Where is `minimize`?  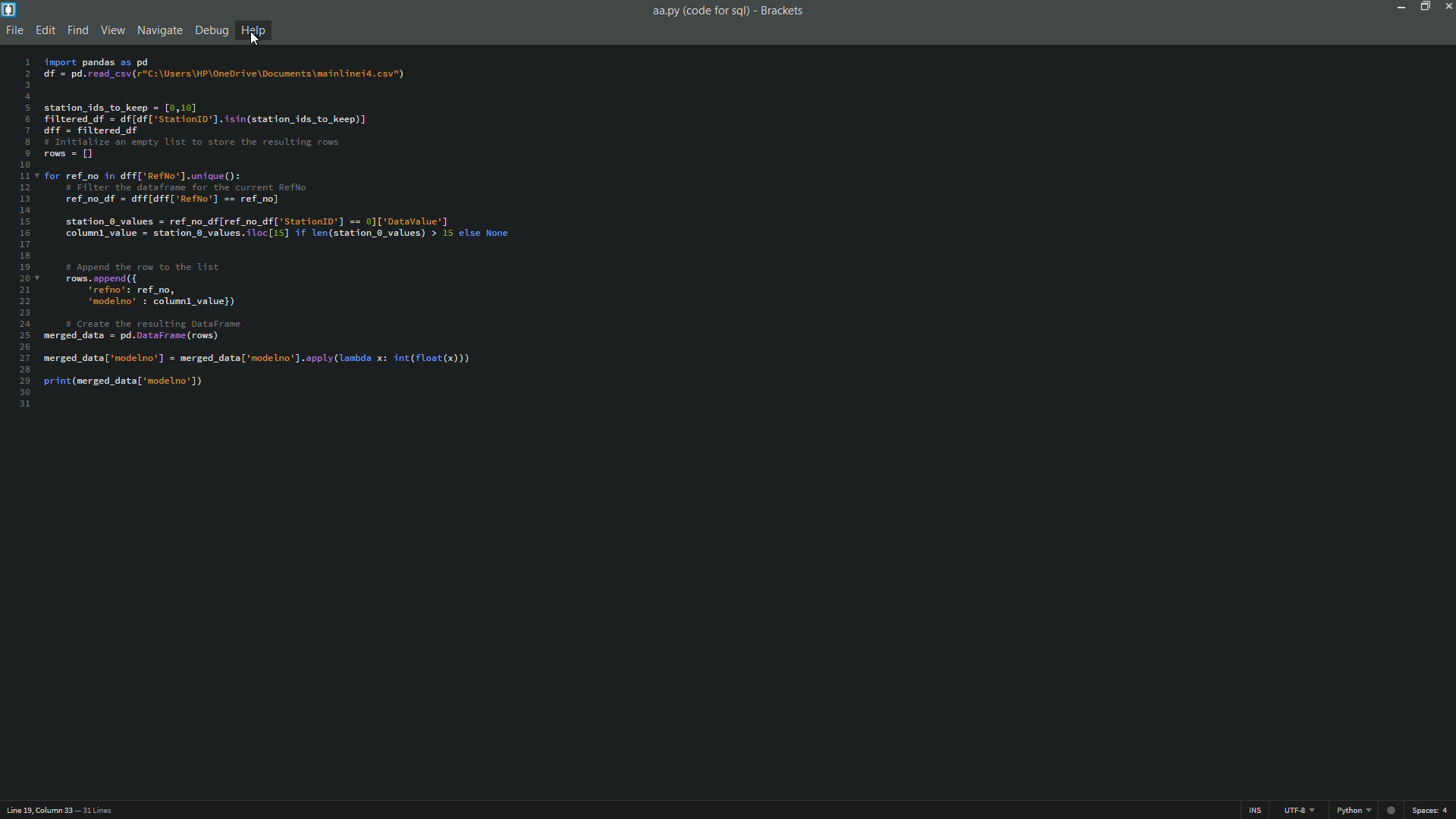 minimize is located at coordinates (1400, 8).